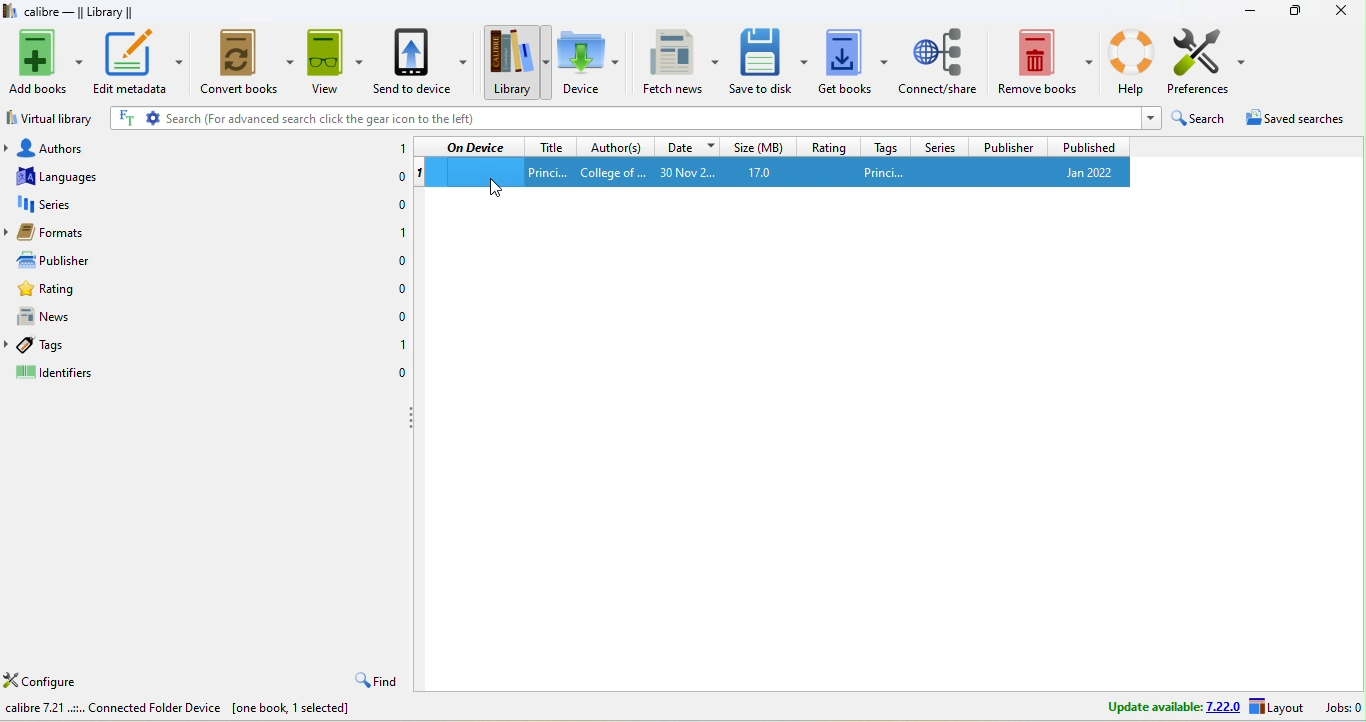 The image size is (1366, 722). Describe the element at coordinates (55, 145) in the screenshot. I see `authors` at that location.